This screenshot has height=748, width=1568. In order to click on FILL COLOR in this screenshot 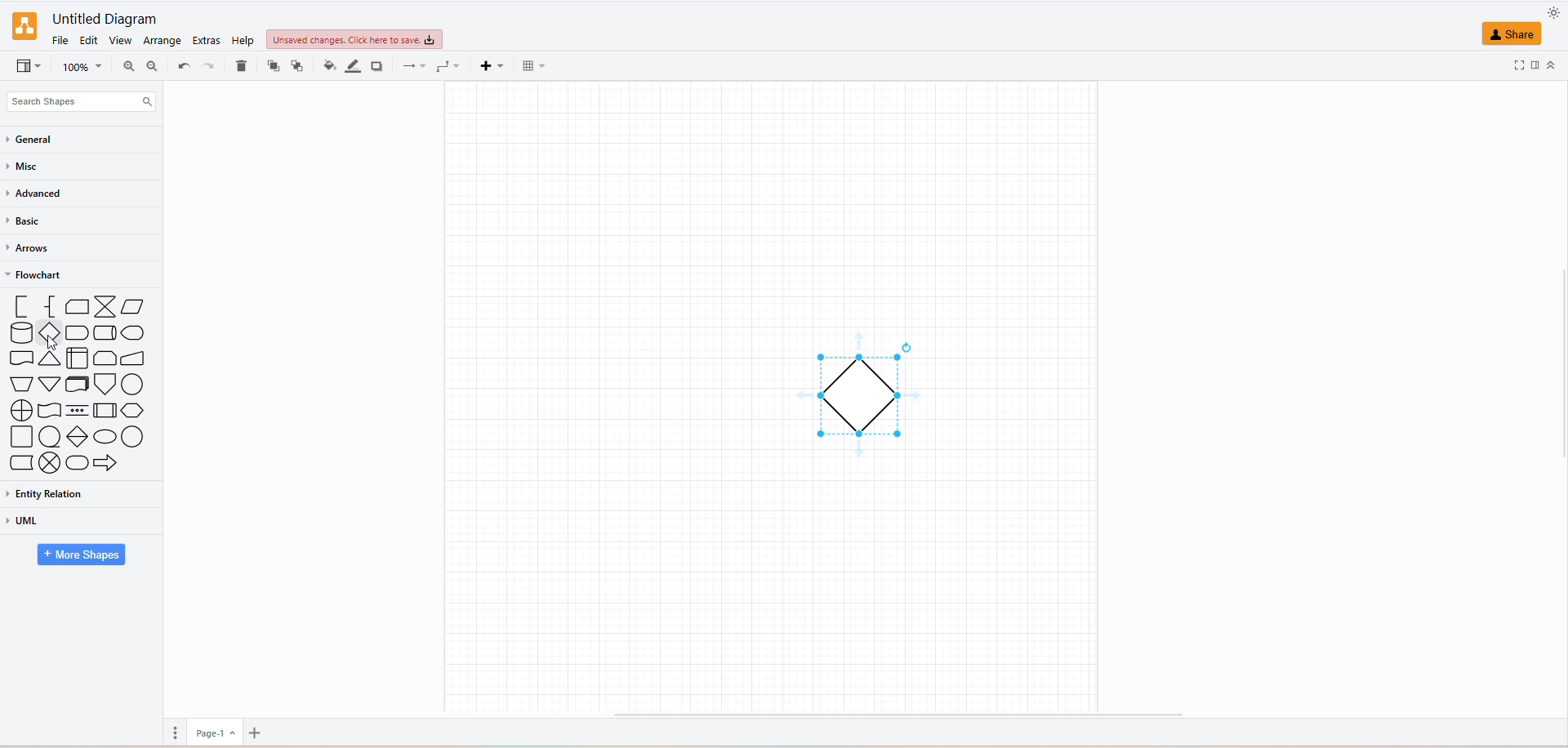, I will do `click(327, 69)`.